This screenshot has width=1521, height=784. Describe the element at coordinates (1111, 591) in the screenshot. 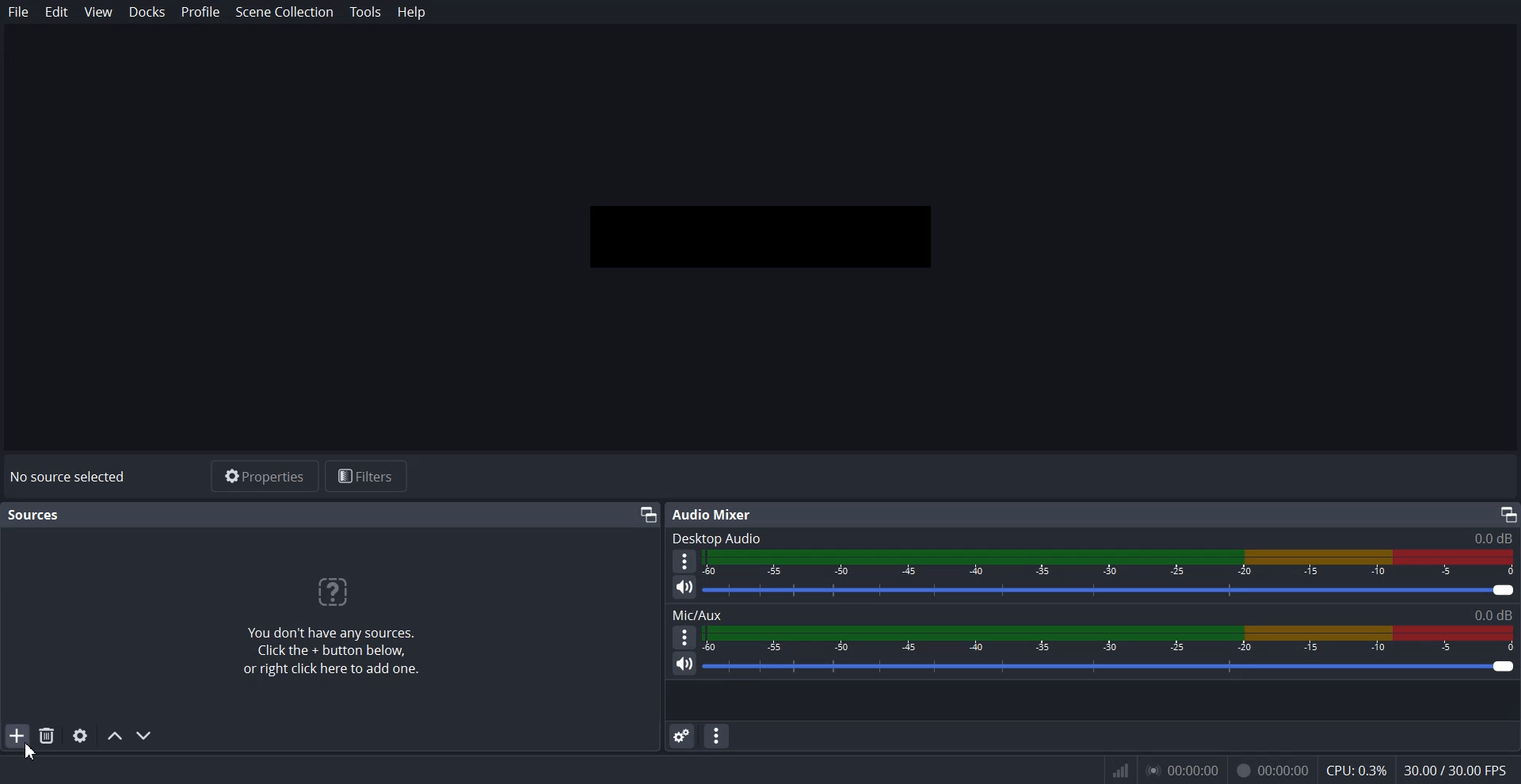

I see `Volume level adjuster` at that location.